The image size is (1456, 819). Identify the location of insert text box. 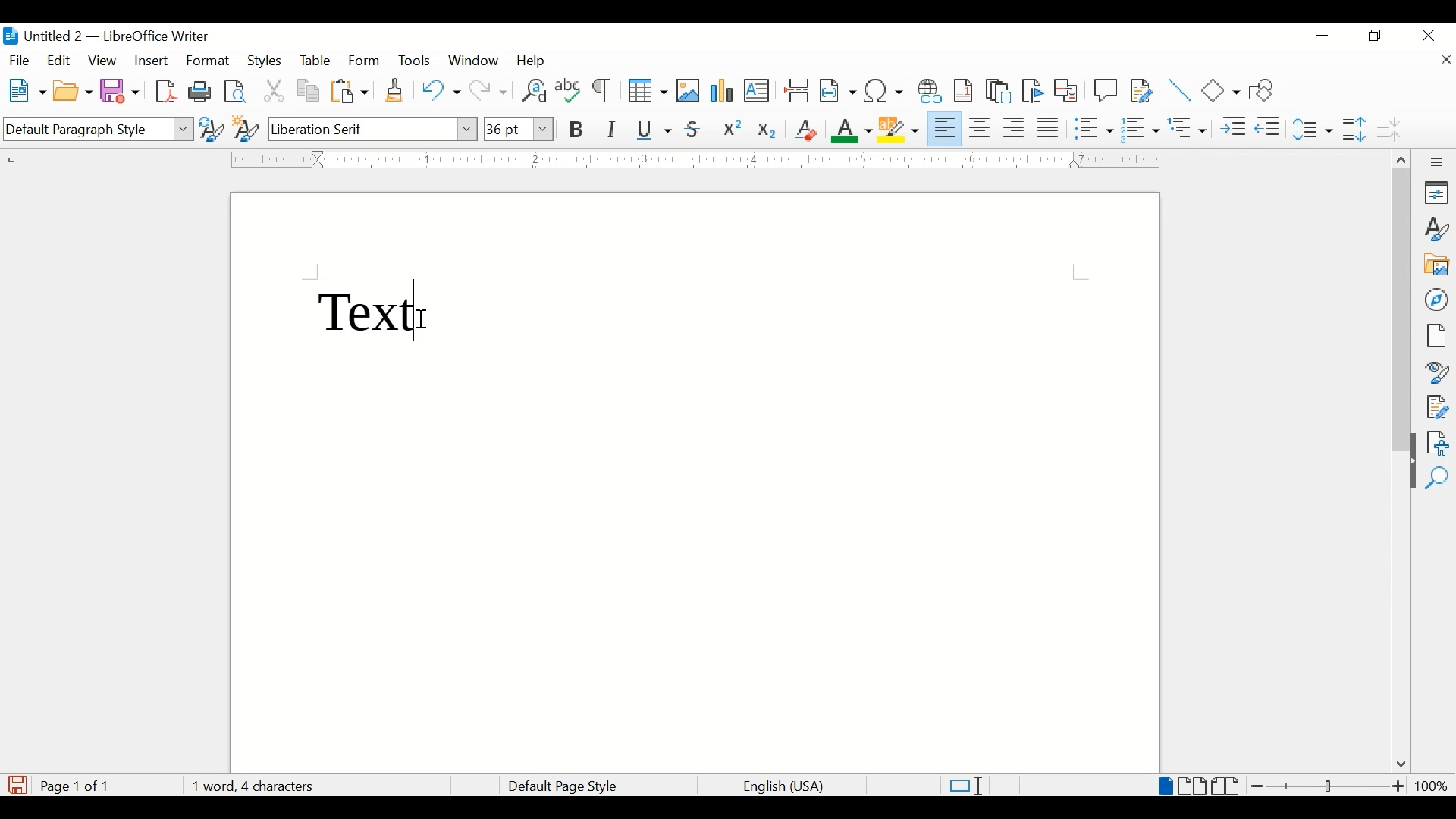
(756, 90).